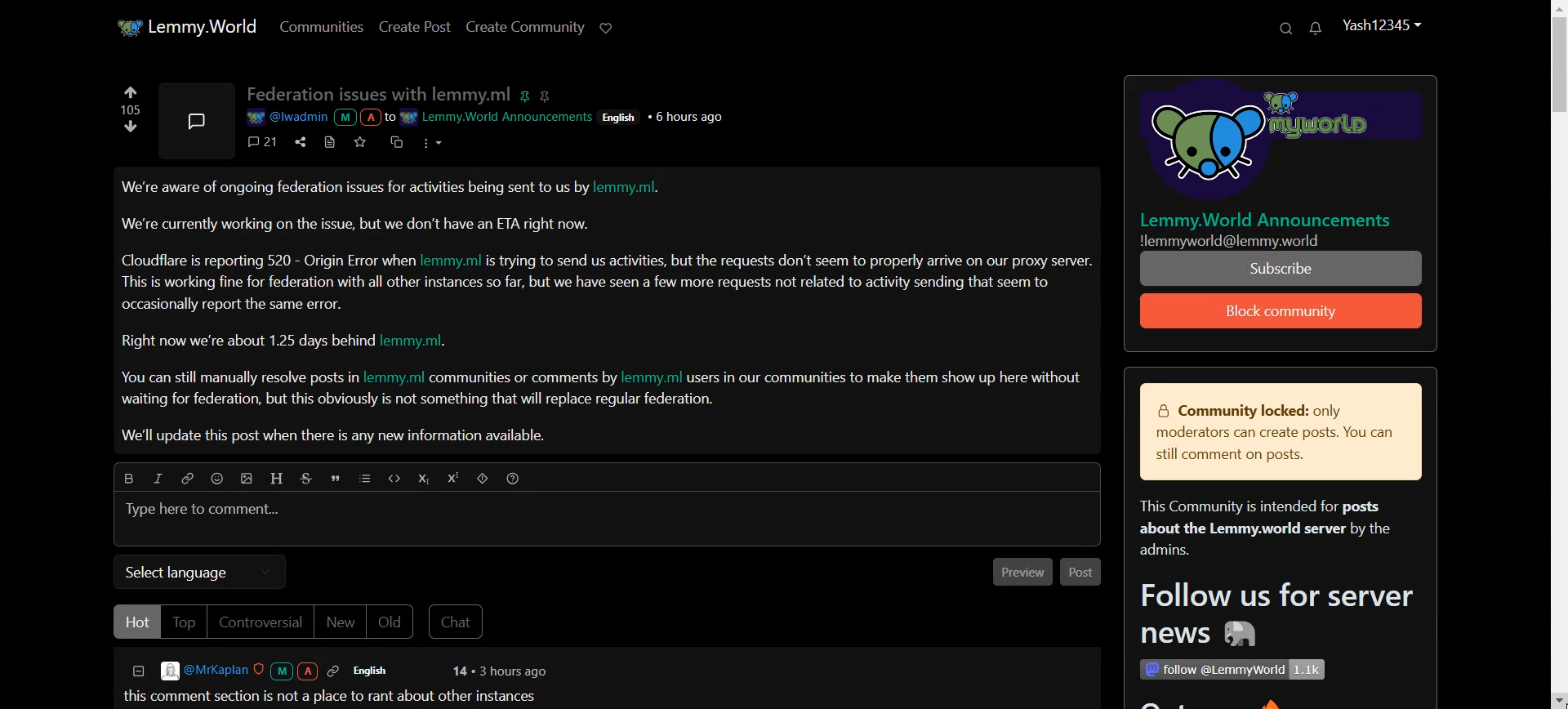 Image resolution: width=1568 pixels, height=709 pixels. I want to click on @MrKaplan, so click(249, 670).